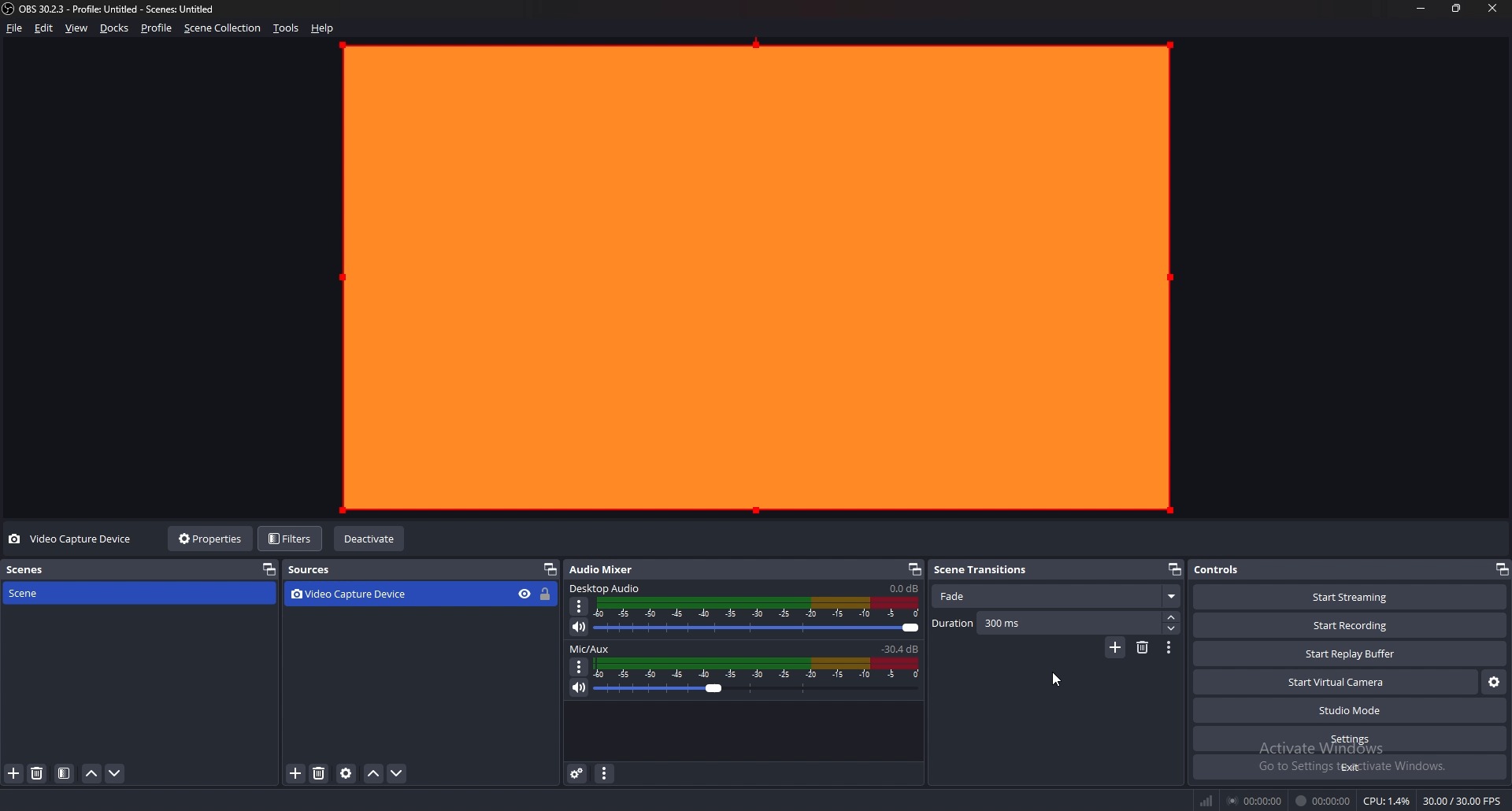 The width and height of the screenshot is (1512, 811). Describe the element at coordinates (900, 650) in the screenshot. I see `-30.4db` at that location.